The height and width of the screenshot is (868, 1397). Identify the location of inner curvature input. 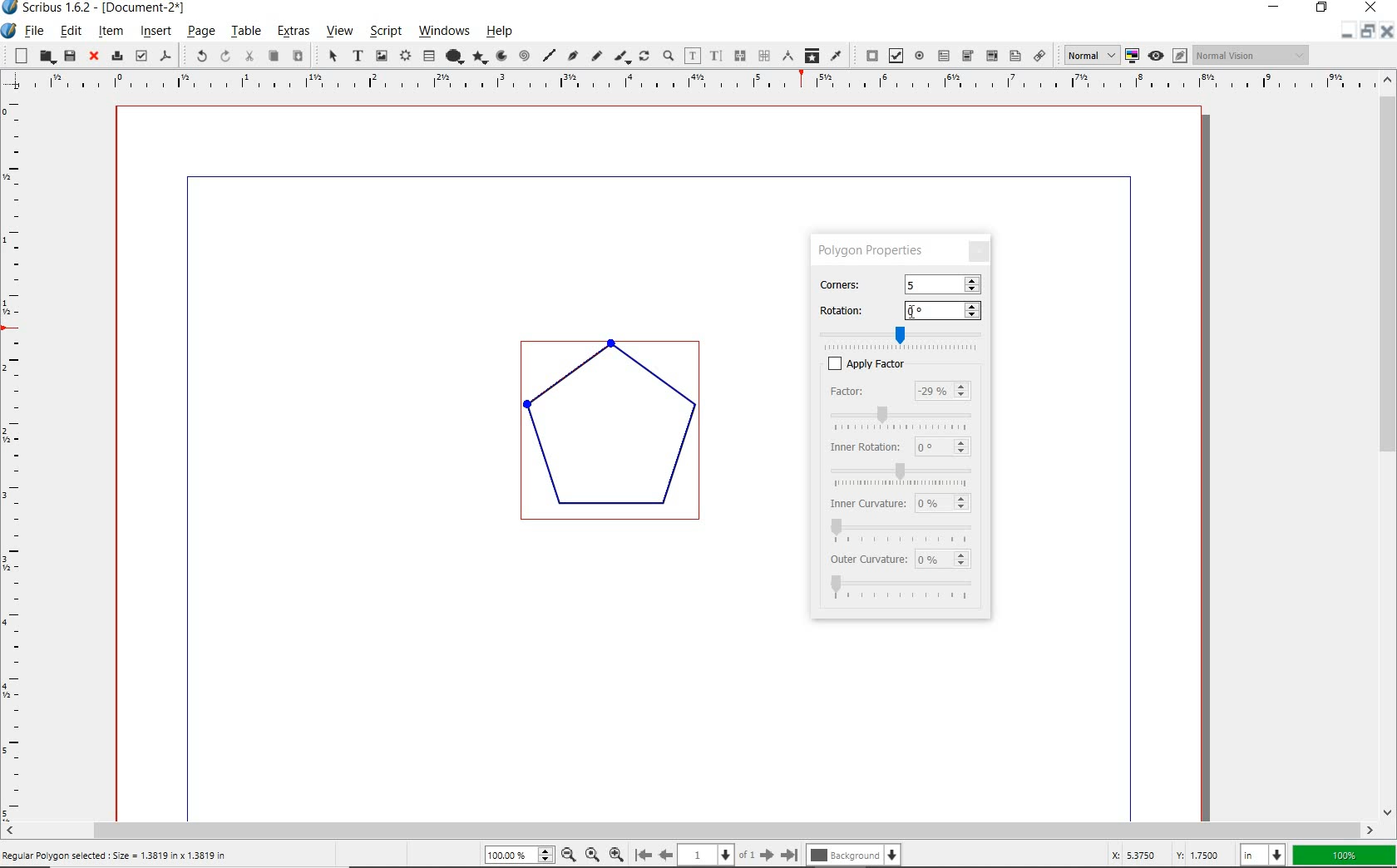
(944, 501).